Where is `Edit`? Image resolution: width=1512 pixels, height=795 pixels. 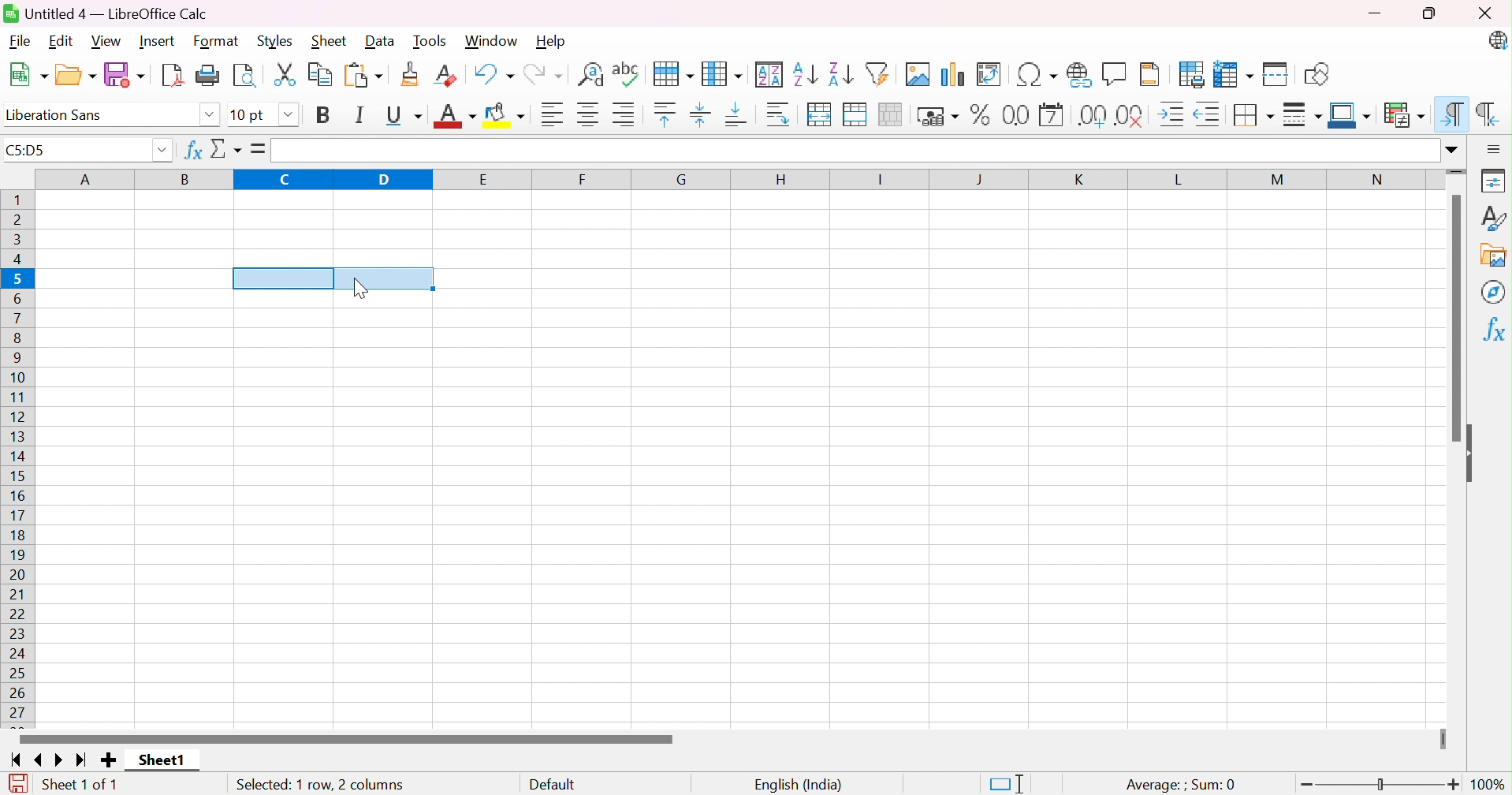 Edit is located at coordinates (60, 42).